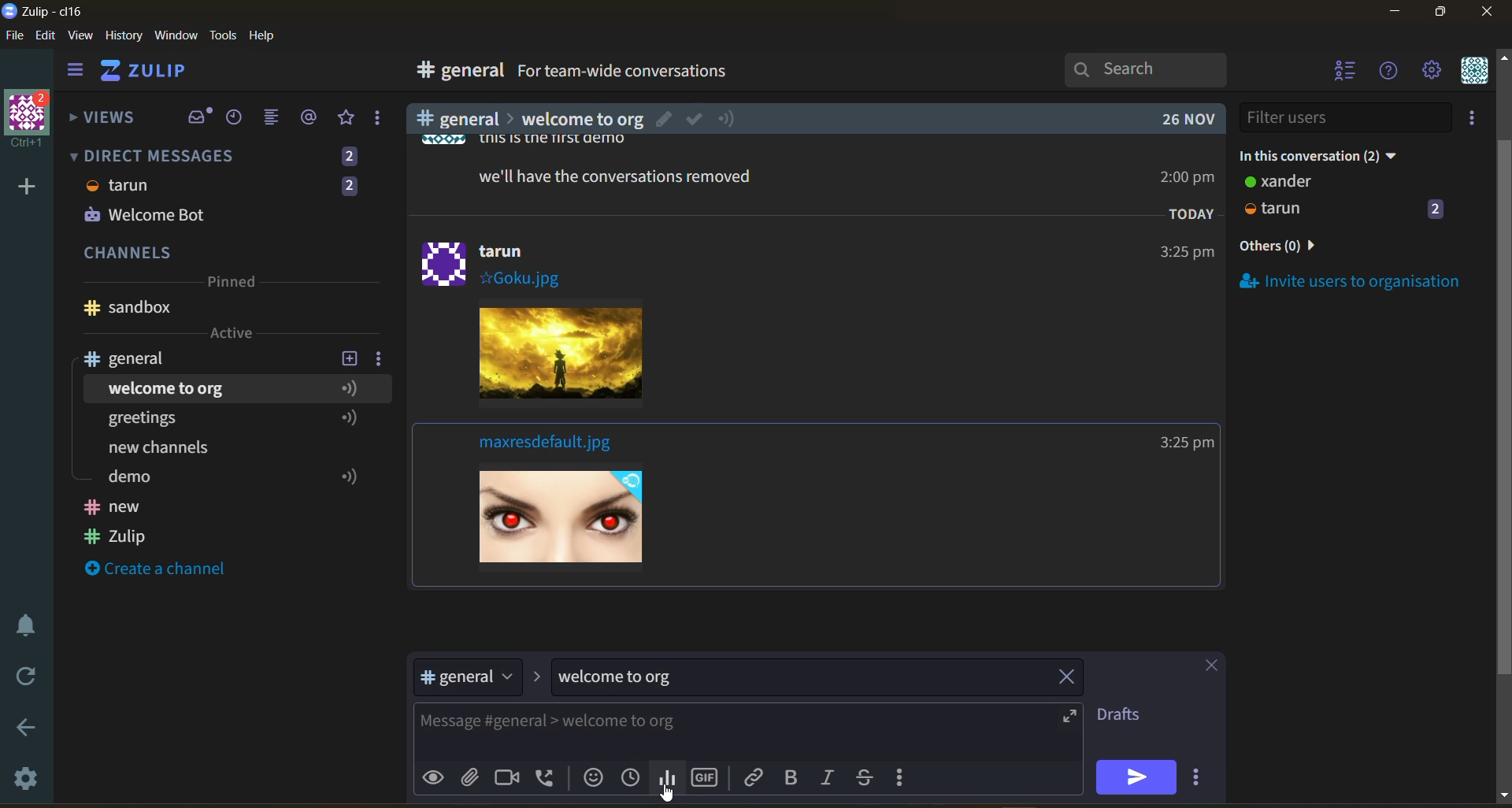  What do you see at coordinates (16, 39) in the screenshot?
I see `file` at bounding box center [16, 39].